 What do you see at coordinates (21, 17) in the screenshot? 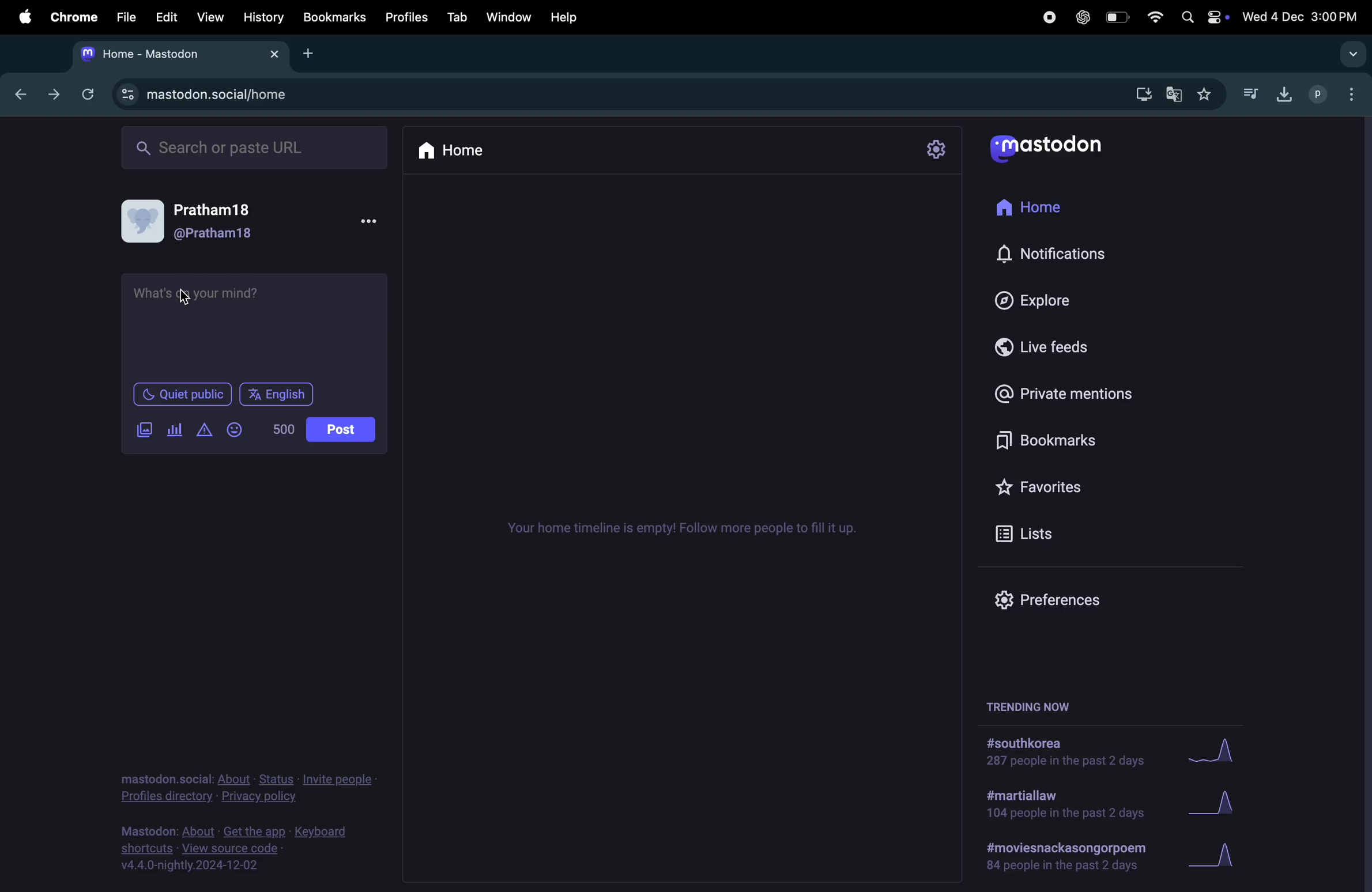
I see `apple menu` at bounding box center [21, 17].